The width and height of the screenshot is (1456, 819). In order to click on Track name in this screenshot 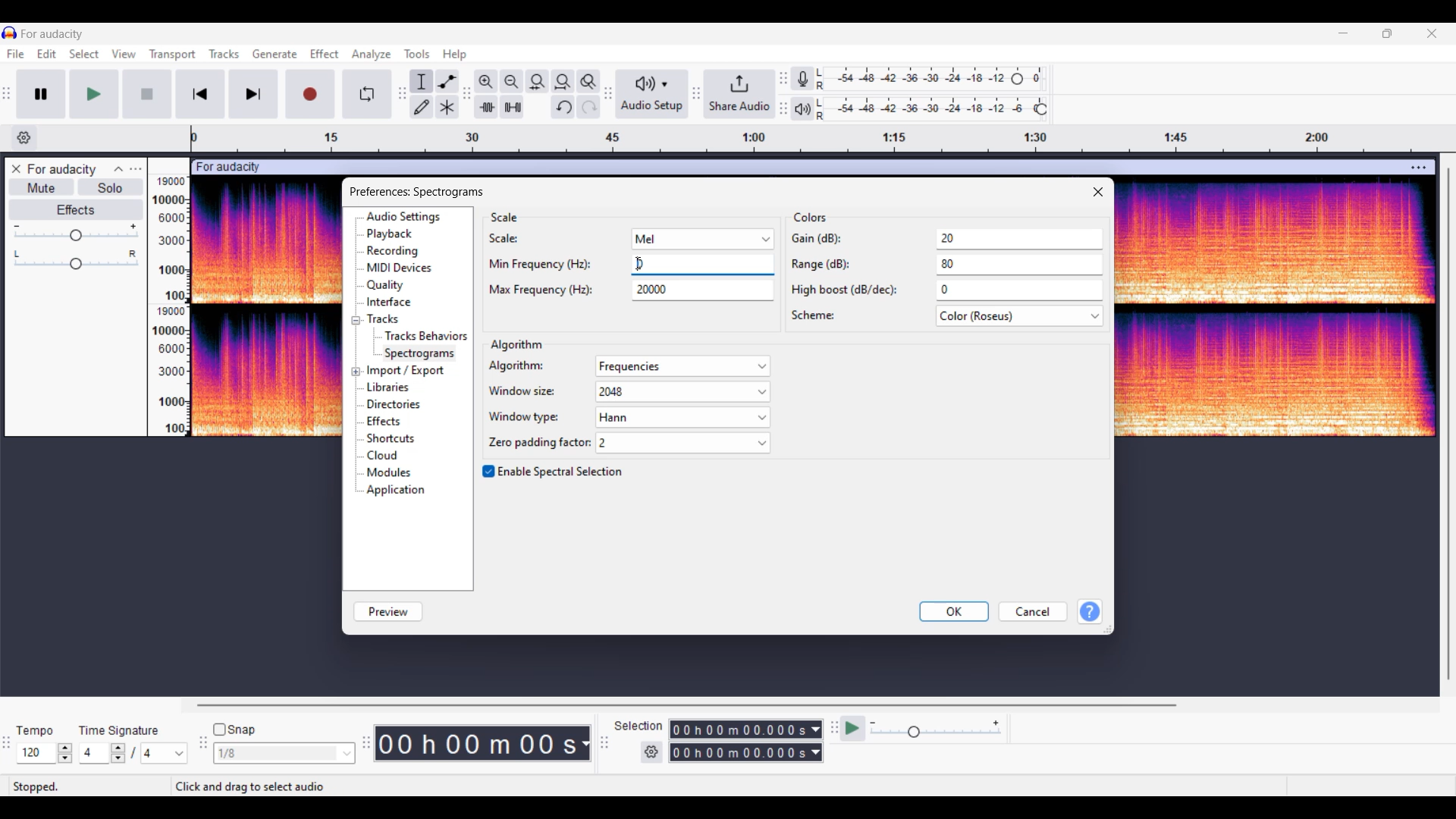, I will do `click(62, 169)`.